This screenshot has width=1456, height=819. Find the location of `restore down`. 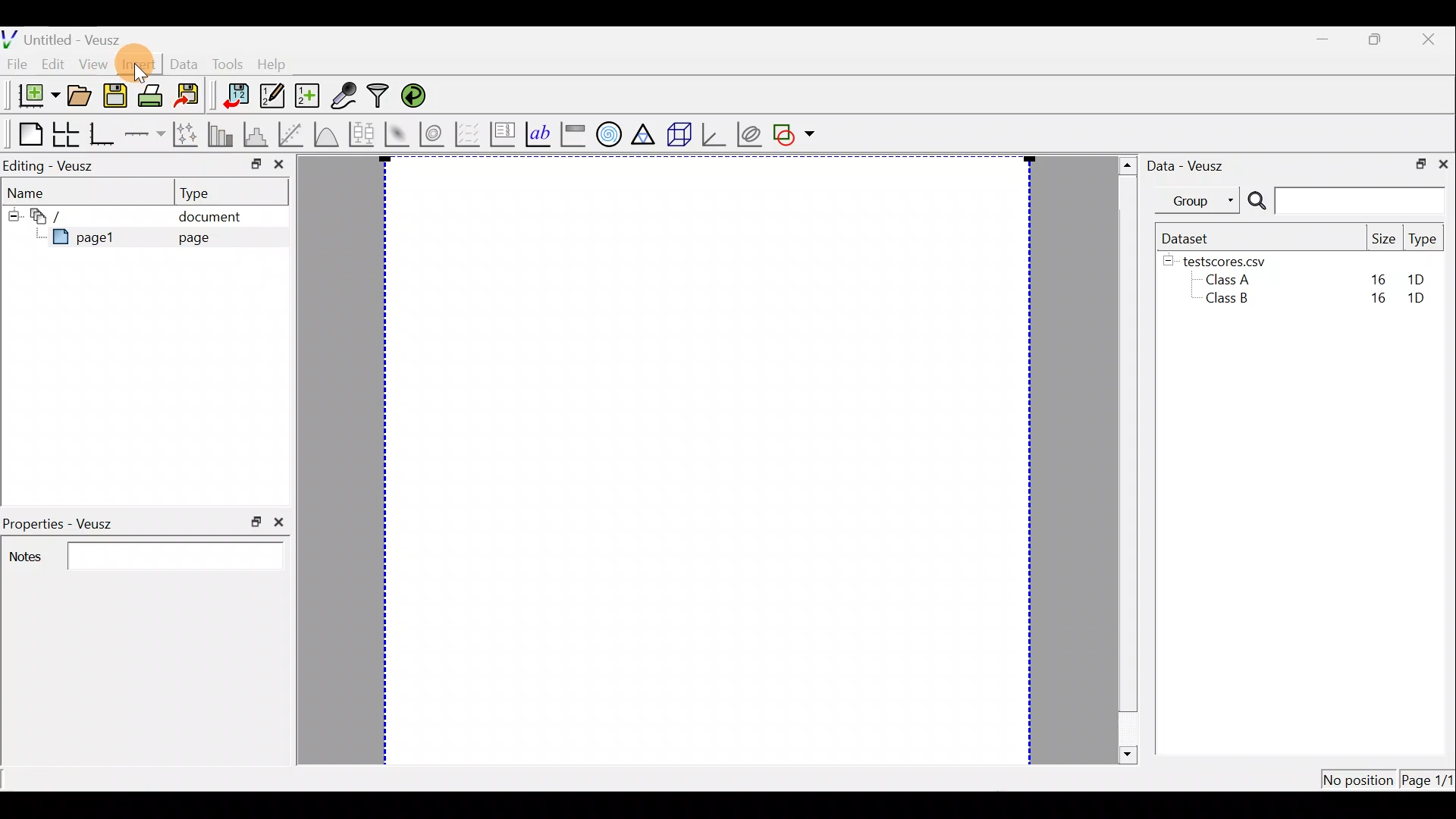

restore down is located at coordinates (249, 162).